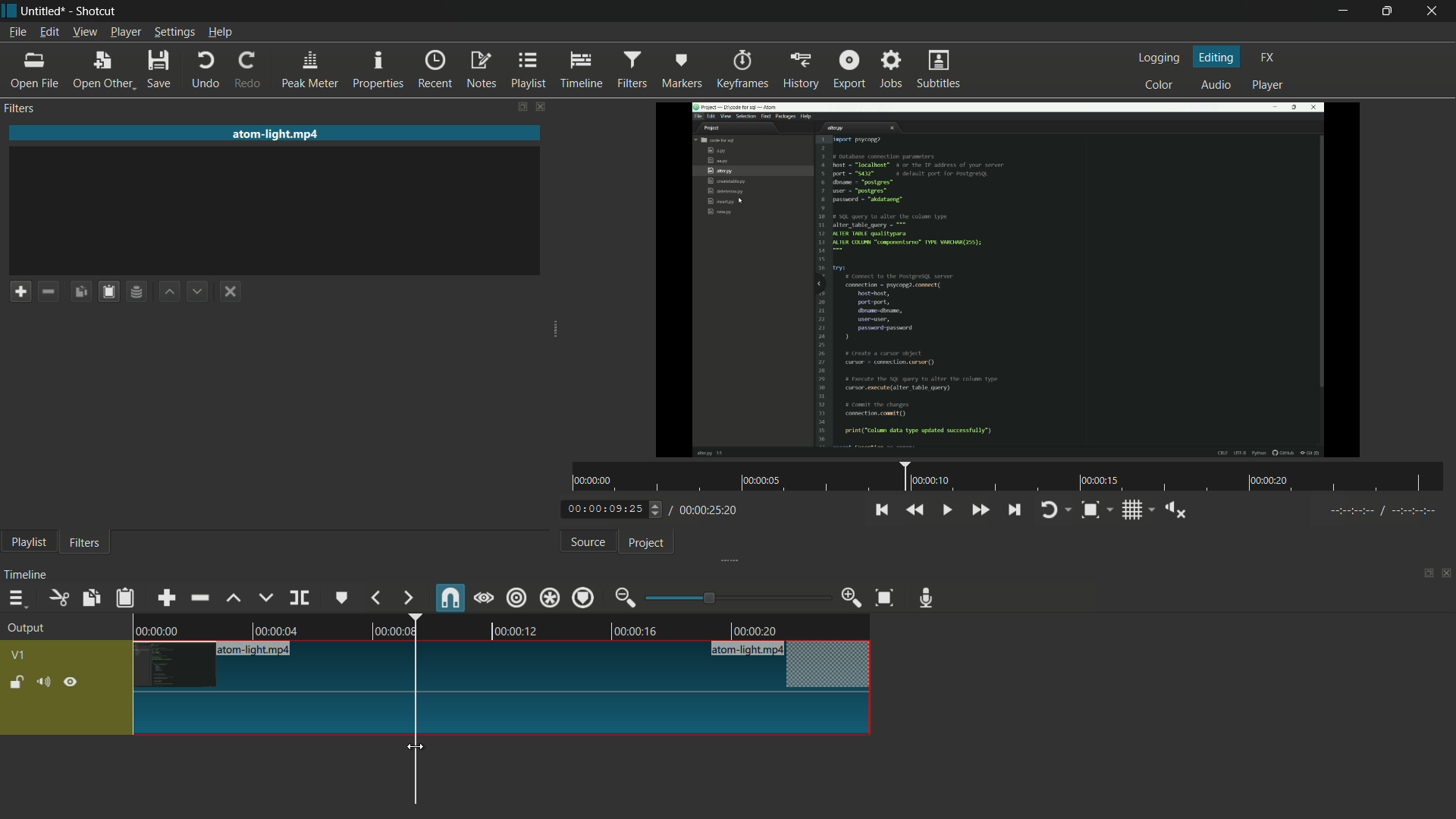 The width and height of the screenshot is (1456, 819). I want to click on previous marker, so click(377, 598).